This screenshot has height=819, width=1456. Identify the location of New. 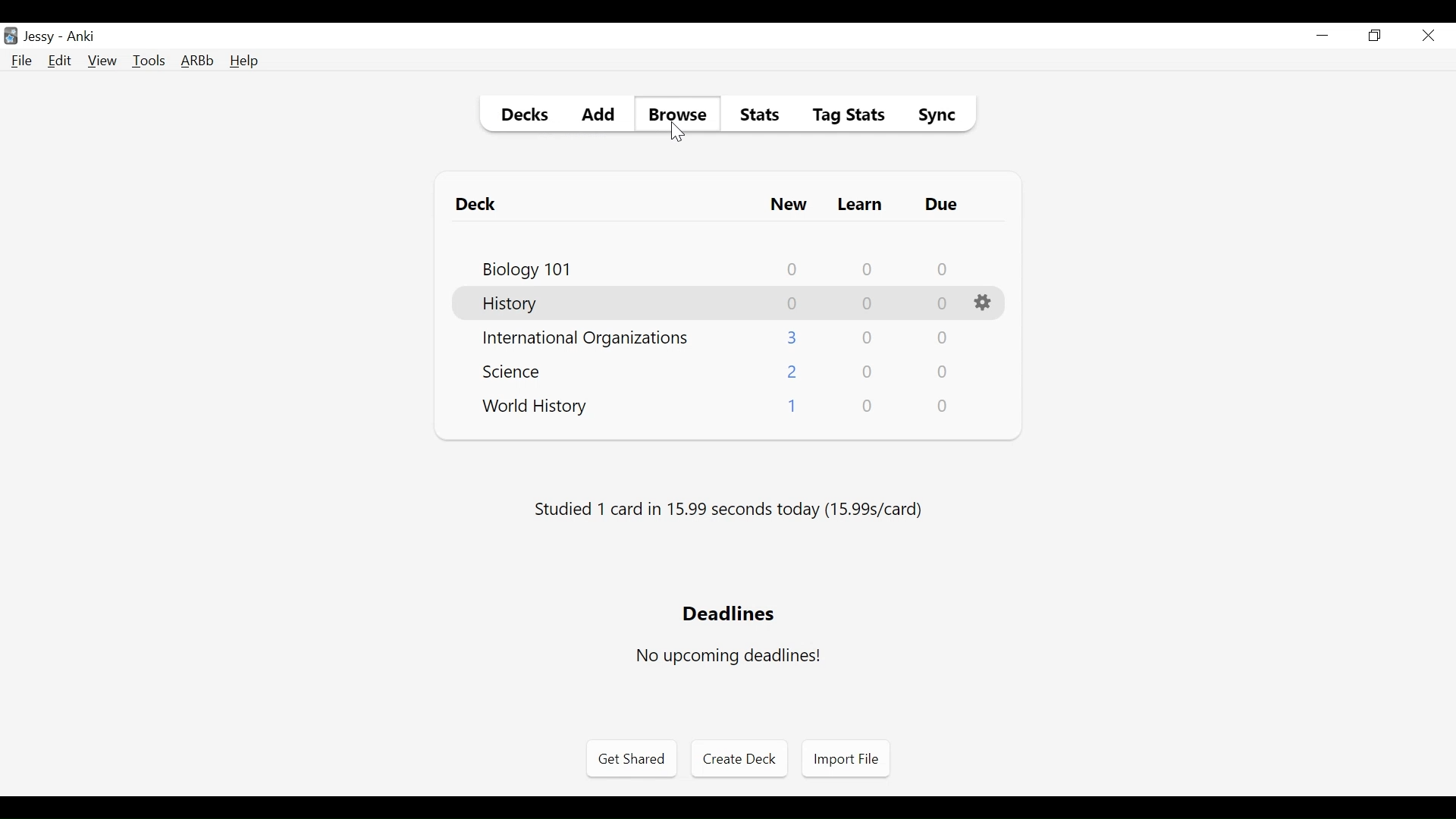
(786, 203).